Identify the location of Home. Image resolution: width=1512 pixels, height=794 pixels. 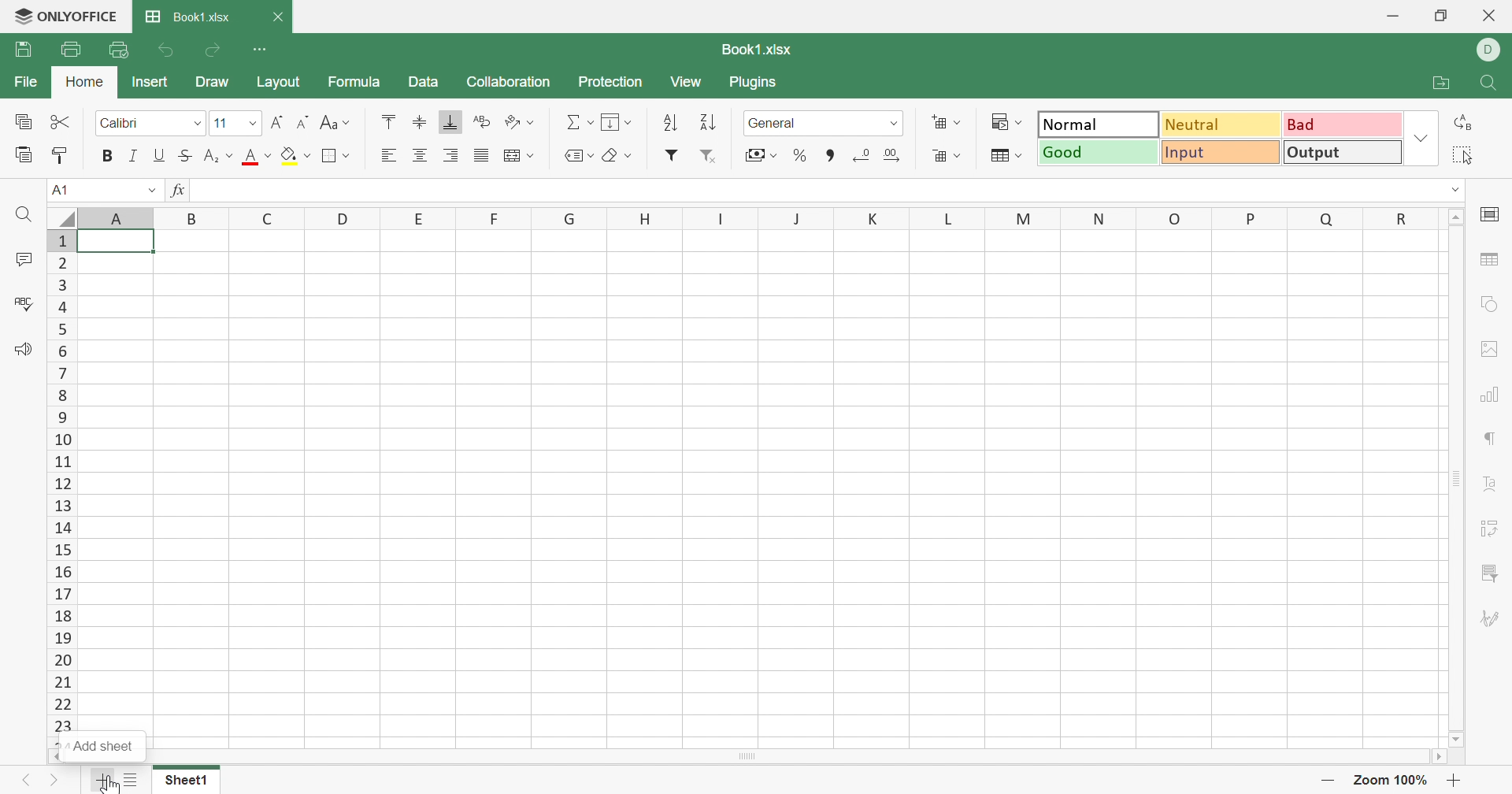
(81, 82).